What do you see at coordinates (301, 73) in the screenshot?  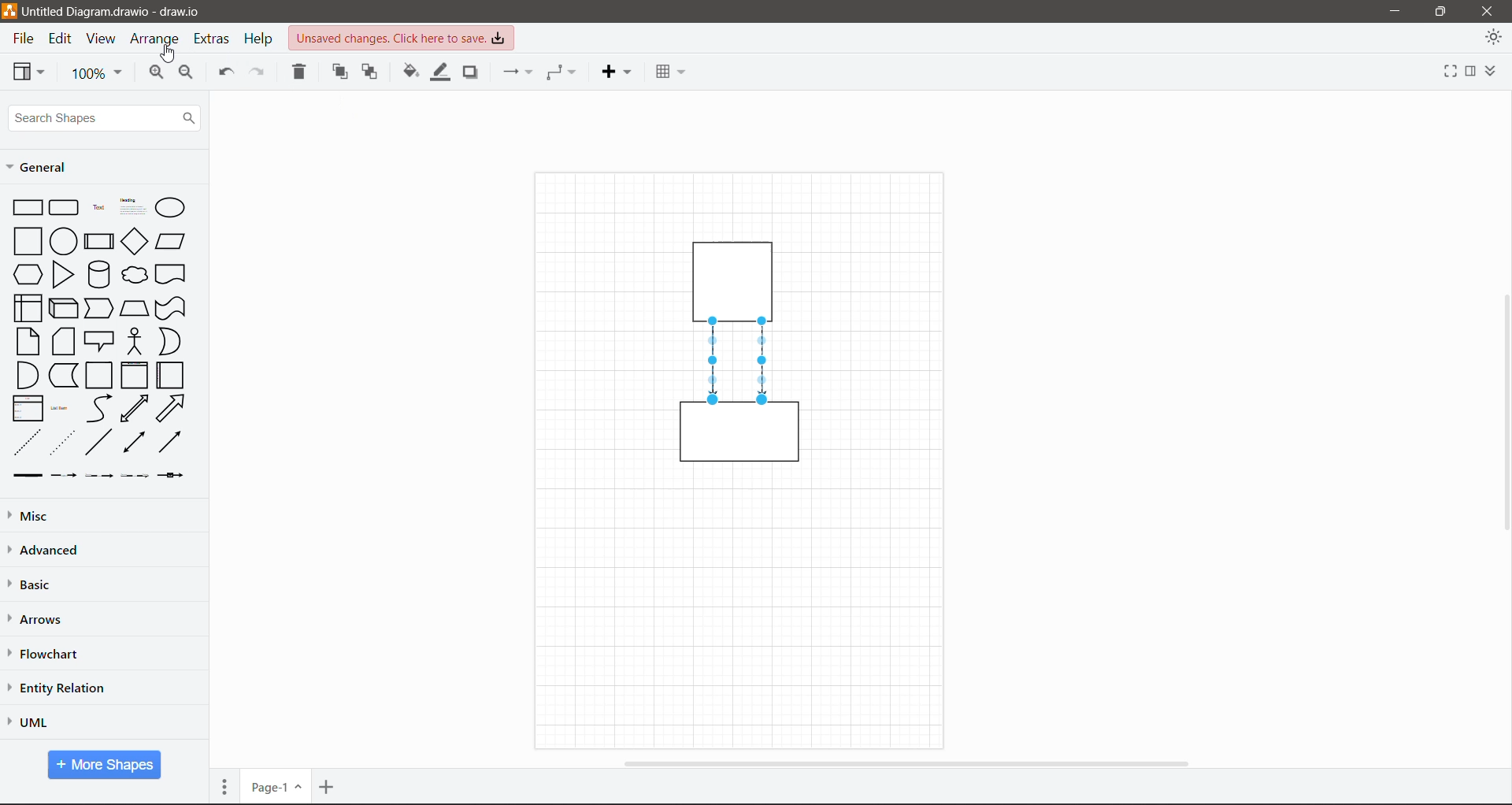 I see `Delete` at bounding box center [301, 73].